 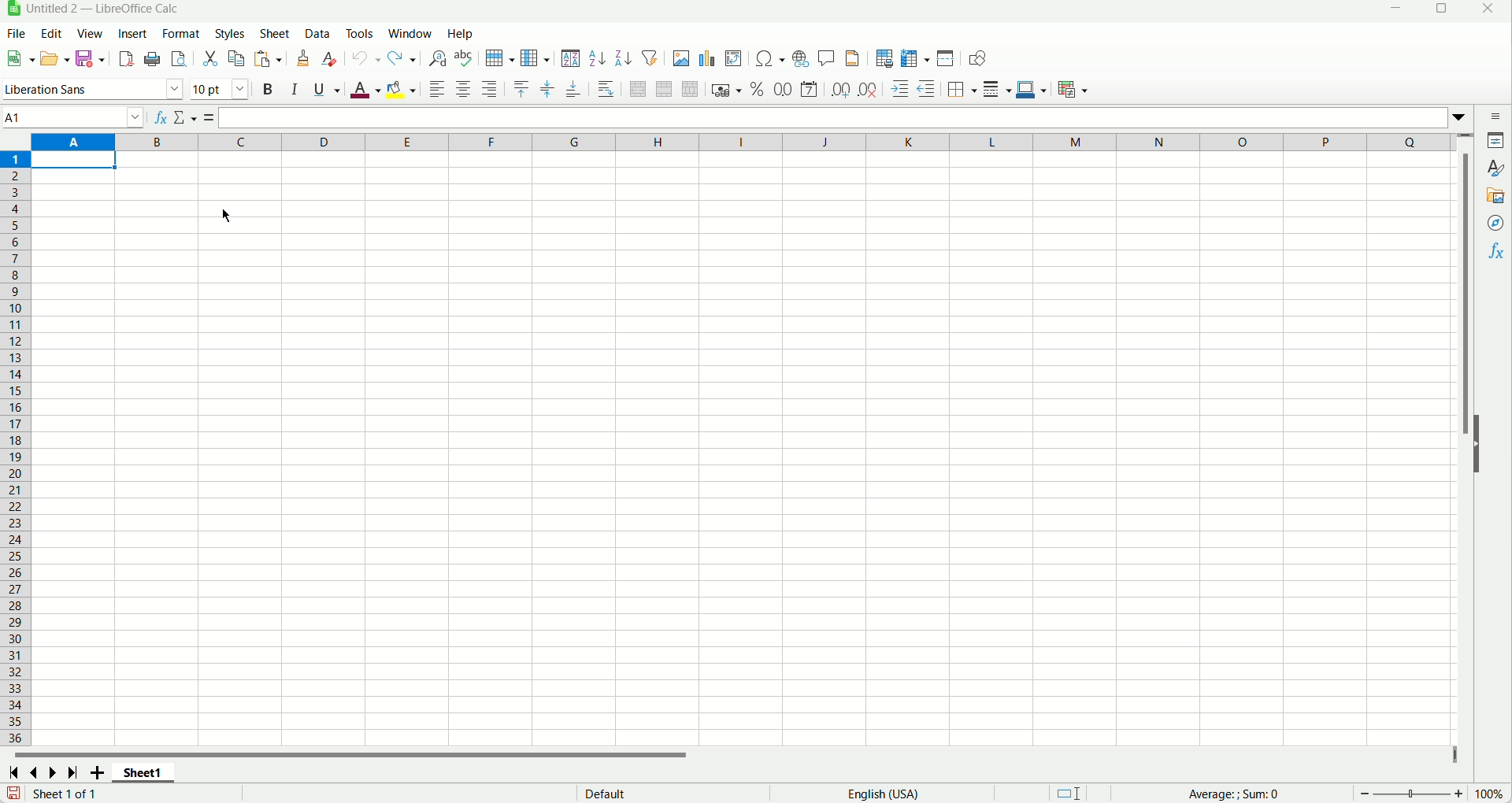 What do you see at coordinates (808, 89) in the screenshot?
I see `Format as date` at bounding box center [808, 89].